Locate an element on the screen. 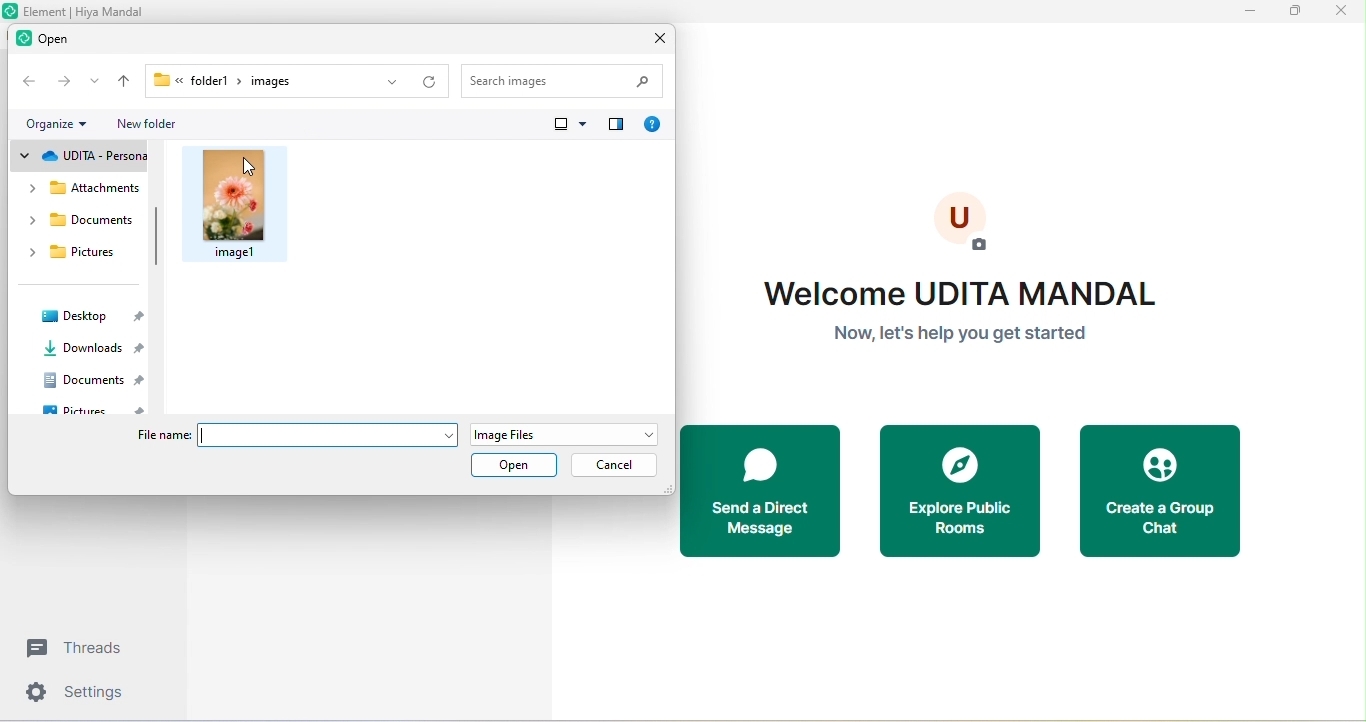  downloads is located at coordinates (88, 349).